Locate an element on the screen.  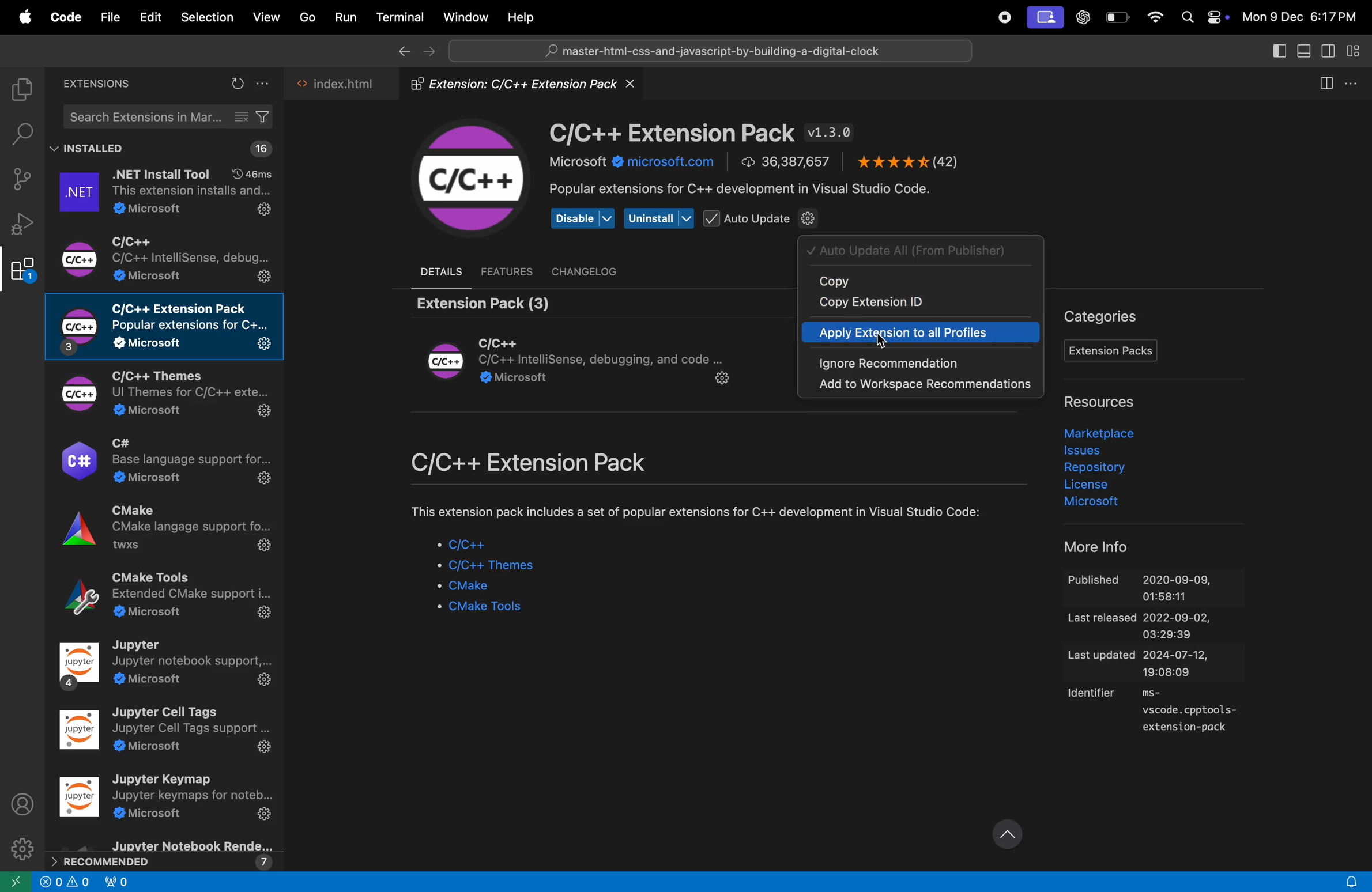
Extension folder is located at coordinates (521, 86).